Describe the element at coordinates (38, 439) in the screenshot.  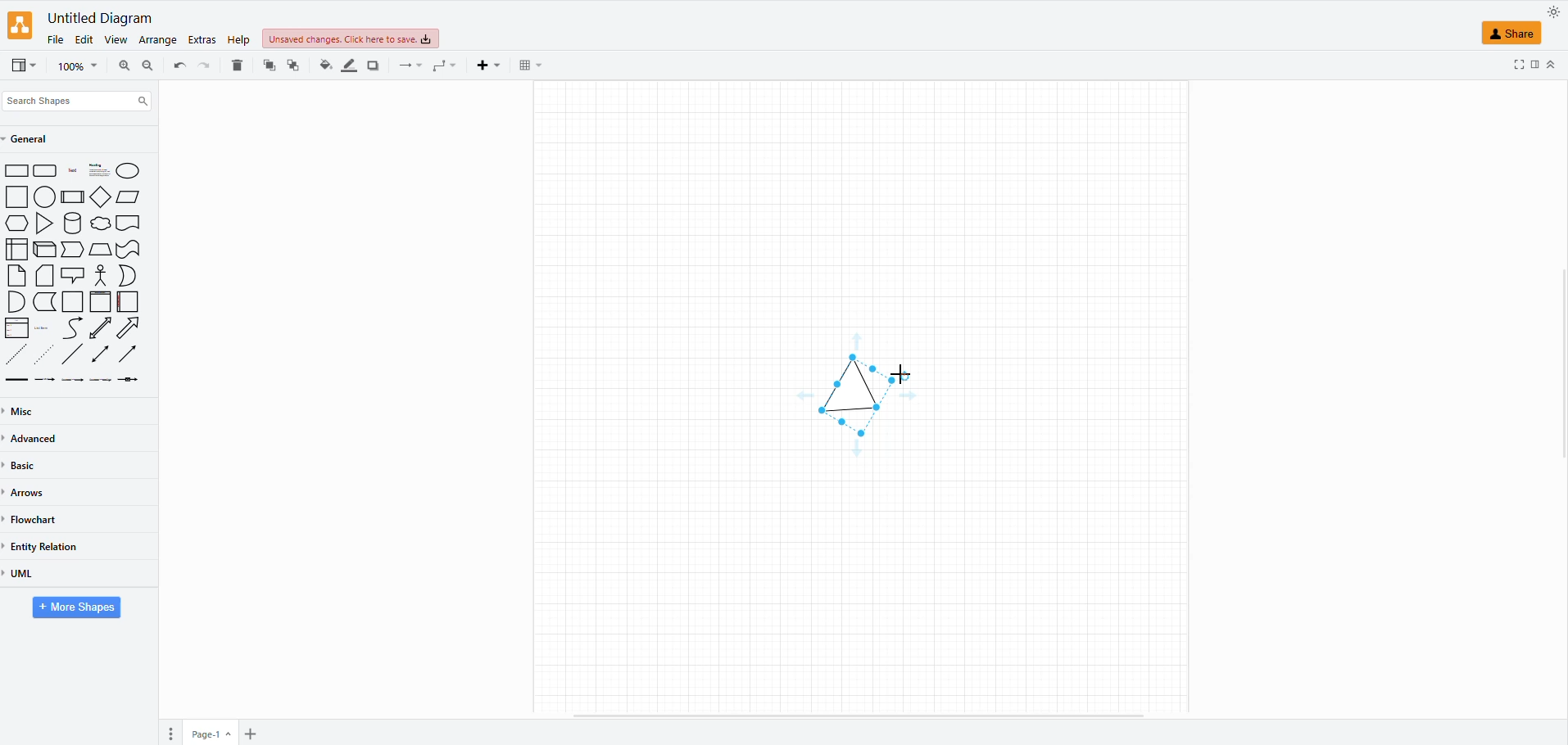
I see `advanced` at that location.